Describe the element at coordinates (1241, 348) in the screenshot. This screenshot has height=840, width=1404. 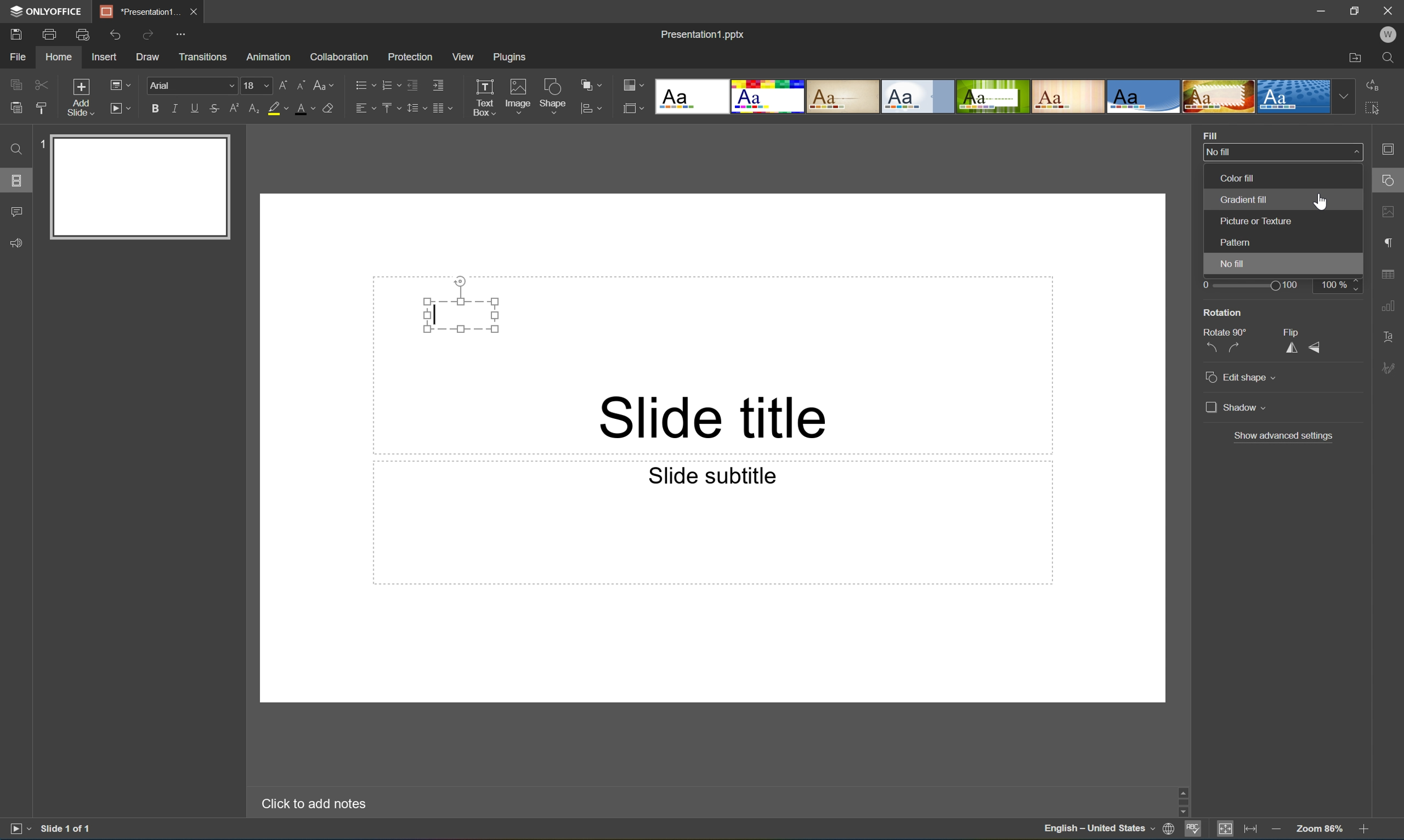
I see `Rotate 90° clockwise` at that location.